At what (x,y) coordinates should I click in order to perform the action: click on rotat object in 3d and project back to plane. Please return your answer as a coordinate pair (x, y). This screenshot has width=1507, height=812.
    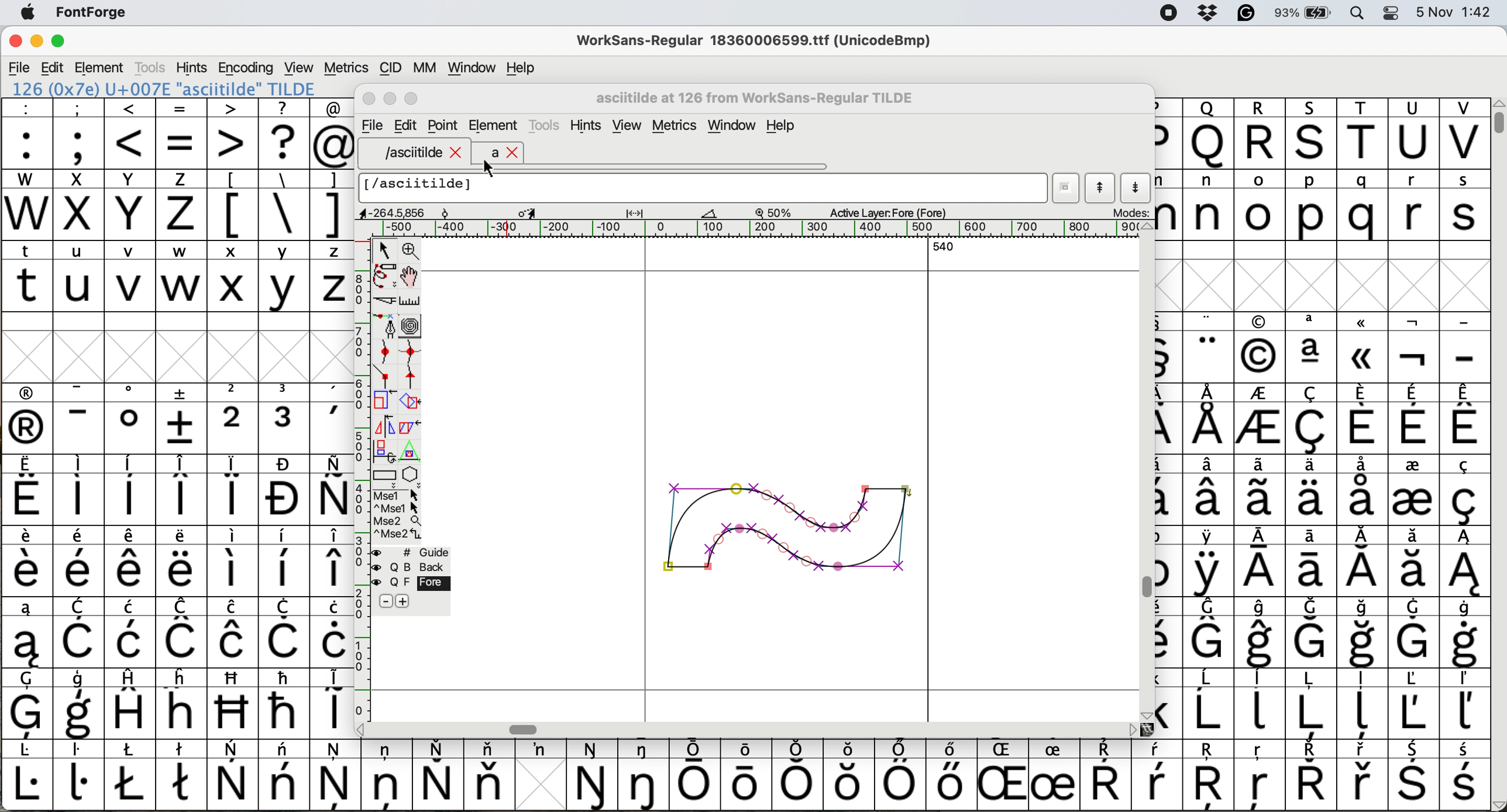
    Looking at the image, I should click on (383, 450).